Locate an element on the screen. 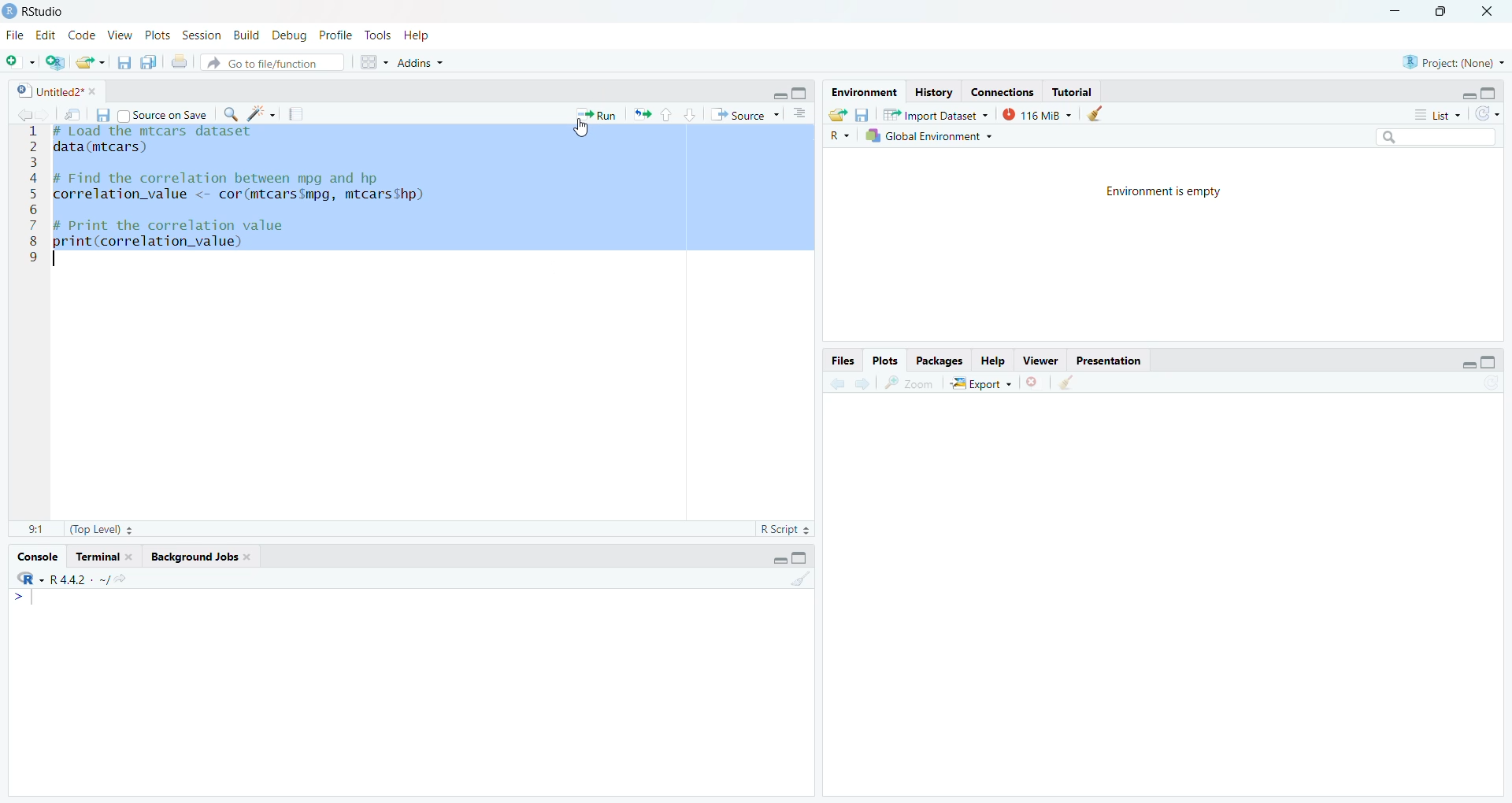  Project (None) is located at coordinates (1454, 63).